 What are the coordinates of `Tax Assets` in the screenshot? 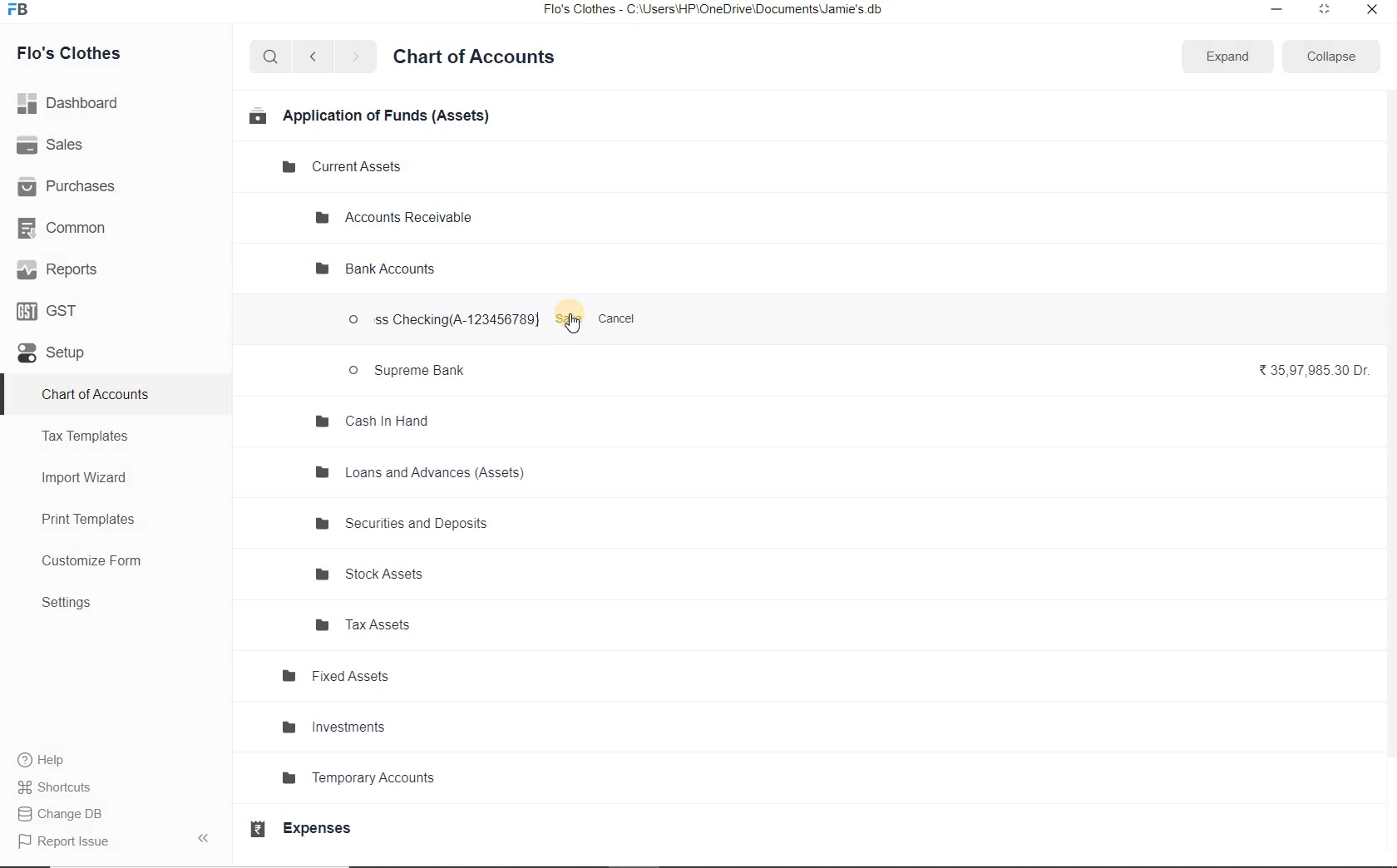 It's located at (393, 629).